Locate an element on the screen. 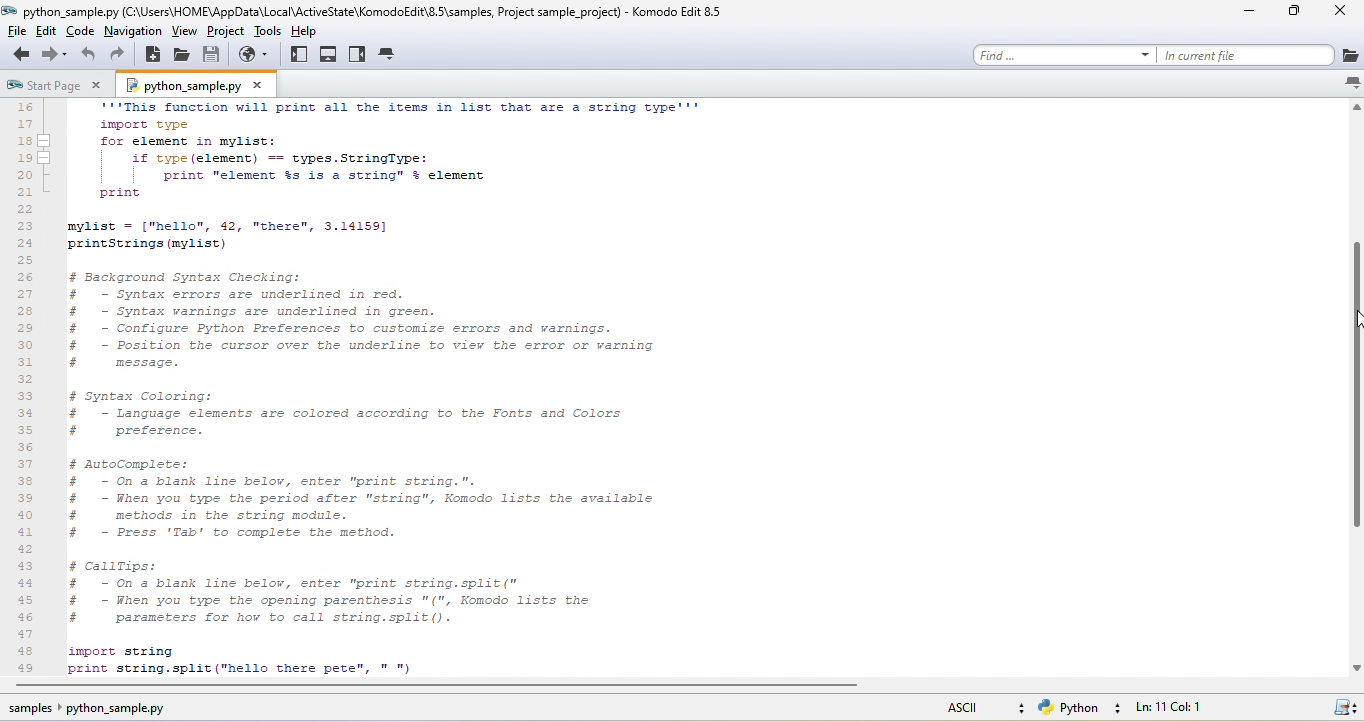  python sample is located at coordinates (199, 84).